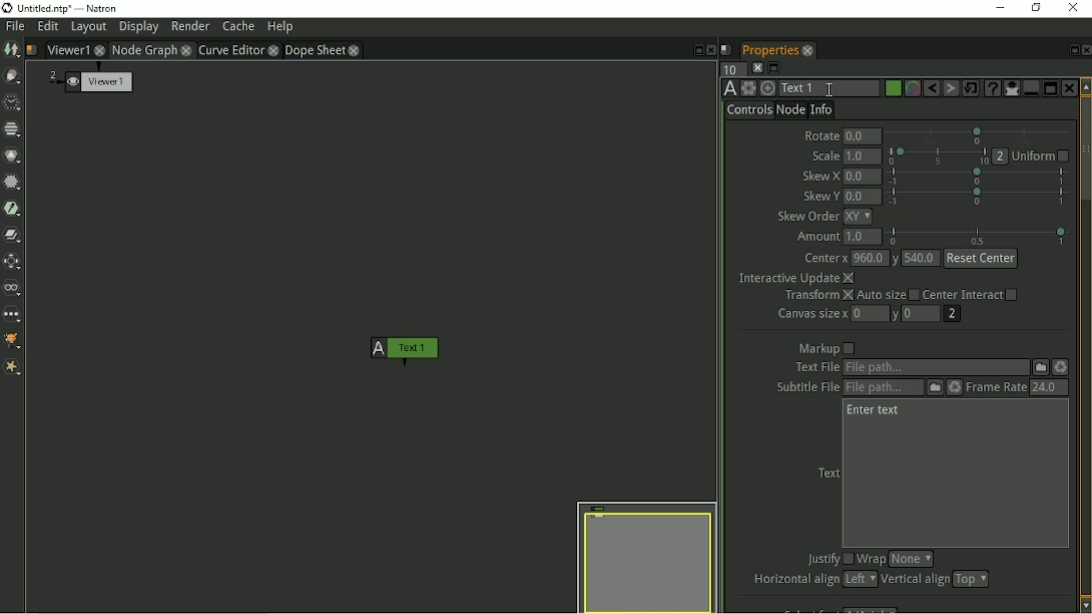  What do you see at coordinates (992, 88) in the screenshot?
I see `Advanced text generator node` at bounding box center [992, 88].